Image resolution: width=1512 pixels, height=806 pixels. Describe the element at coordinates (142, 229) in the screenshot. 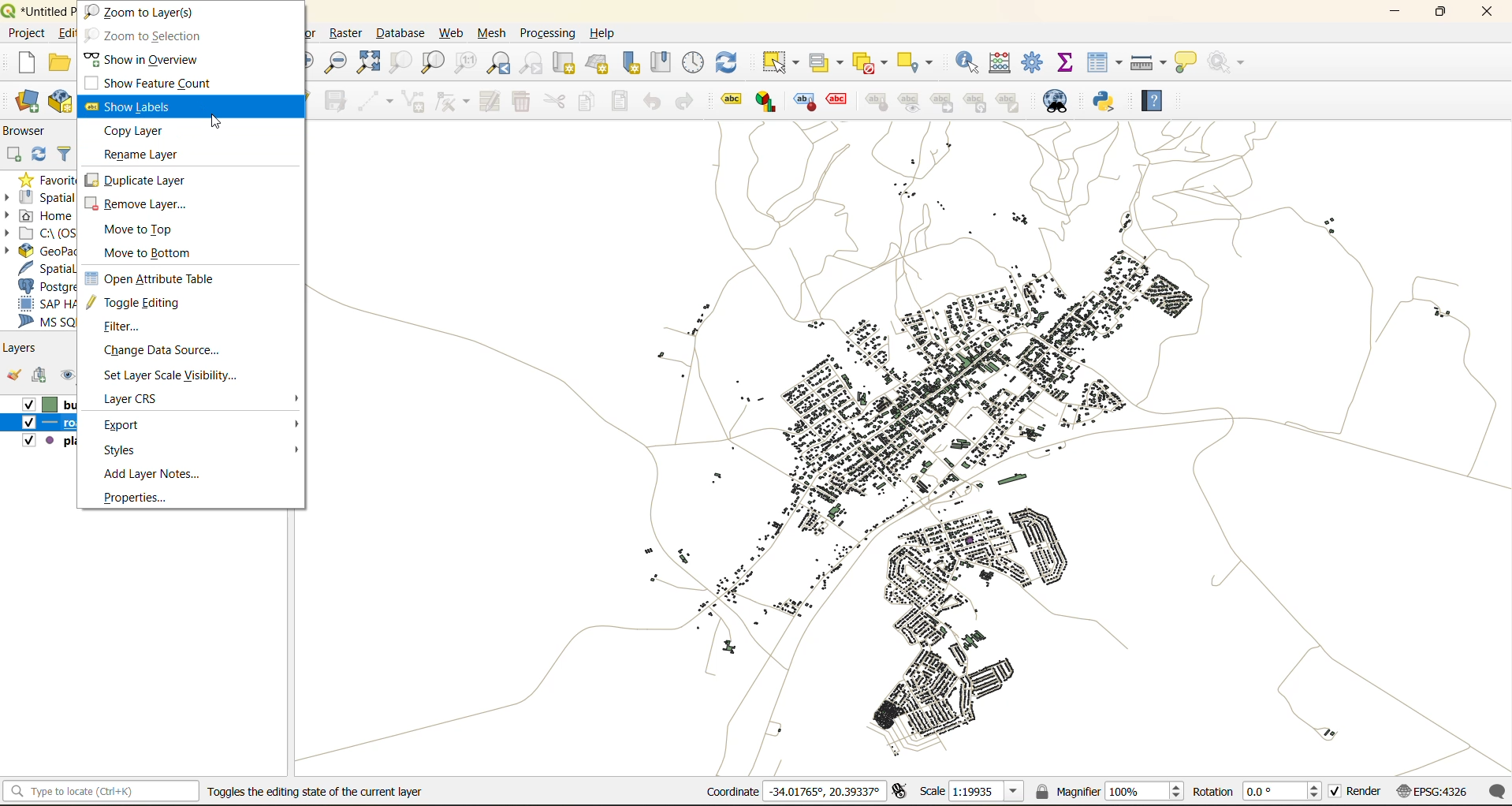

I see `move to top` at that location.